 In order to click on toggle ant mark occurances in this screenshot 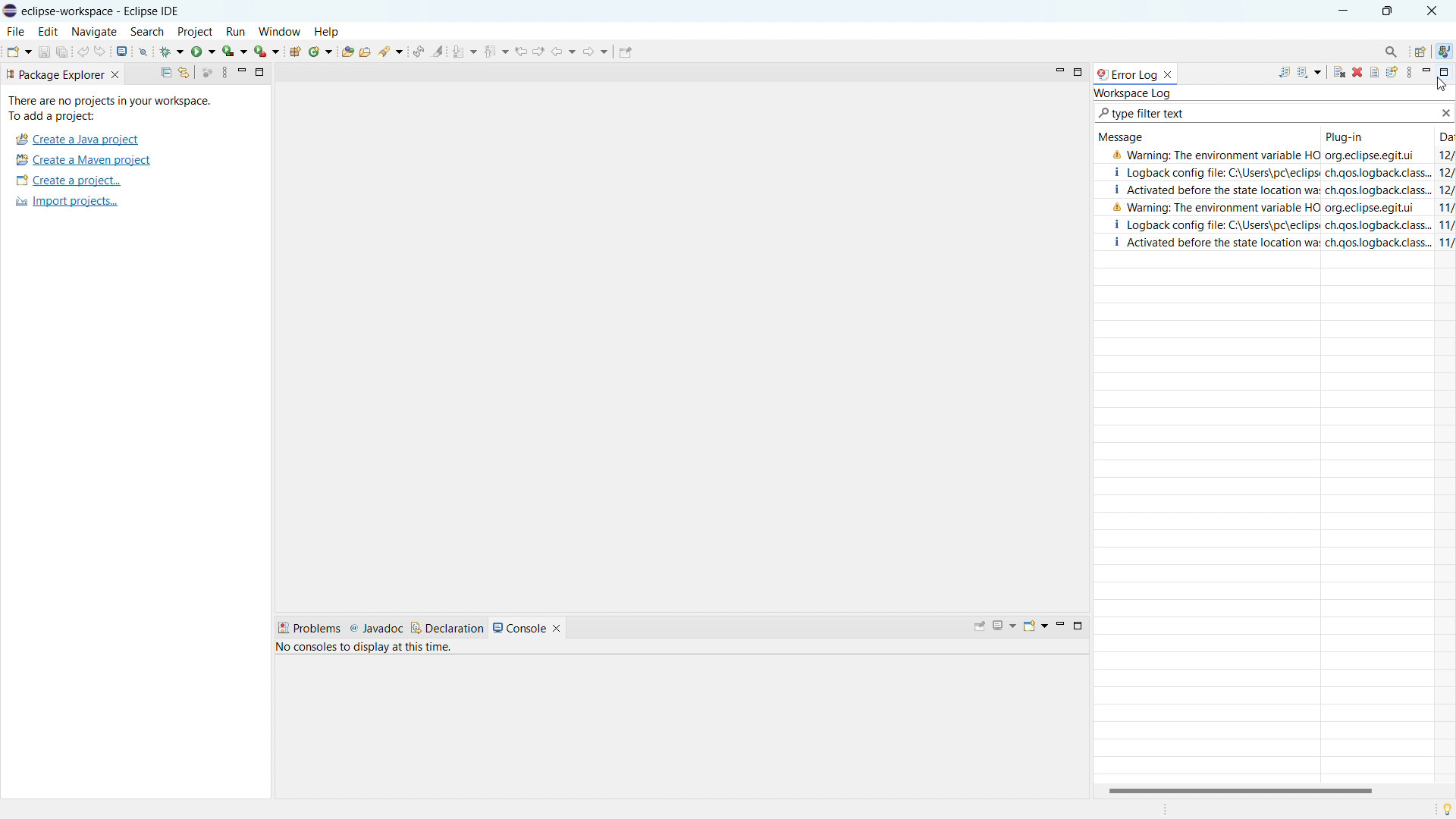, I will do `click(438, 50)`.